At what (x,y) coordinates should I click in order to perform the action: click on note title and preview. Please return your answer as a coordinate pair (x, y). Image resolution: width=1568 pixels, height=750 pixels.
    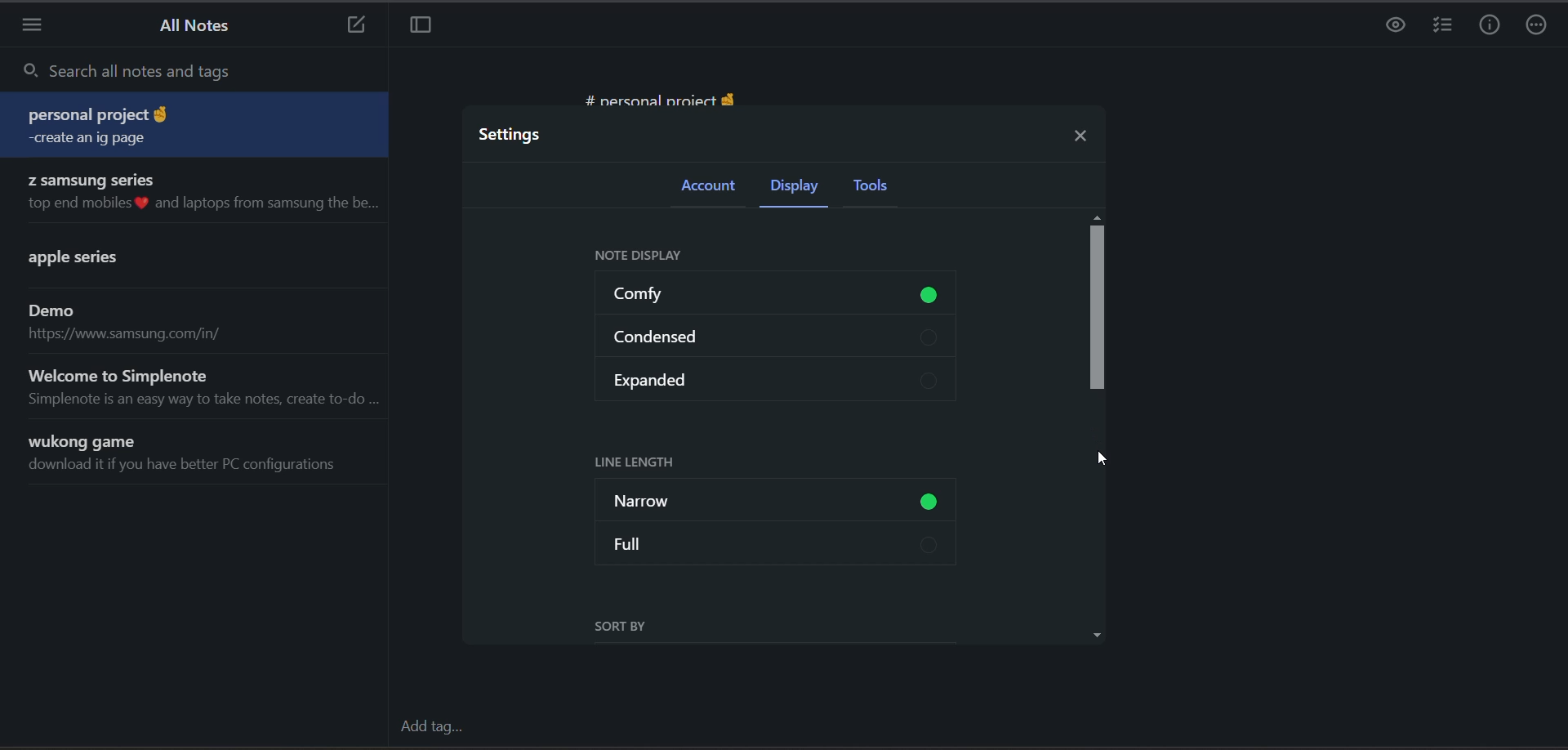
    Looking at the image, I should click on (197, 127).